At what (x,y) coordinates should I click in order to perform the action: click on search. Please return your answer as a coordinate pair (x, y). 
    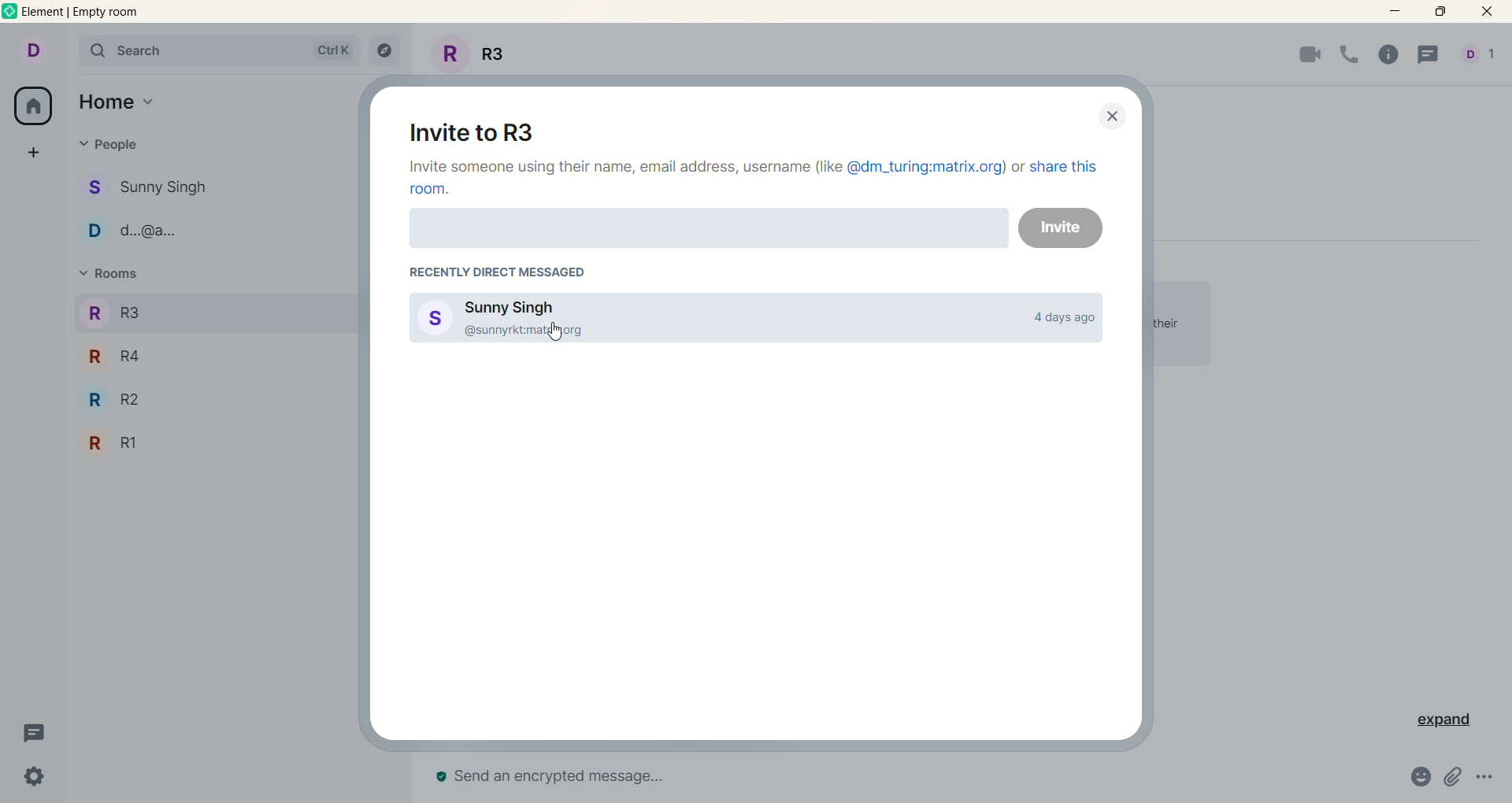
    Looking at the image, I should click on (216, 50).